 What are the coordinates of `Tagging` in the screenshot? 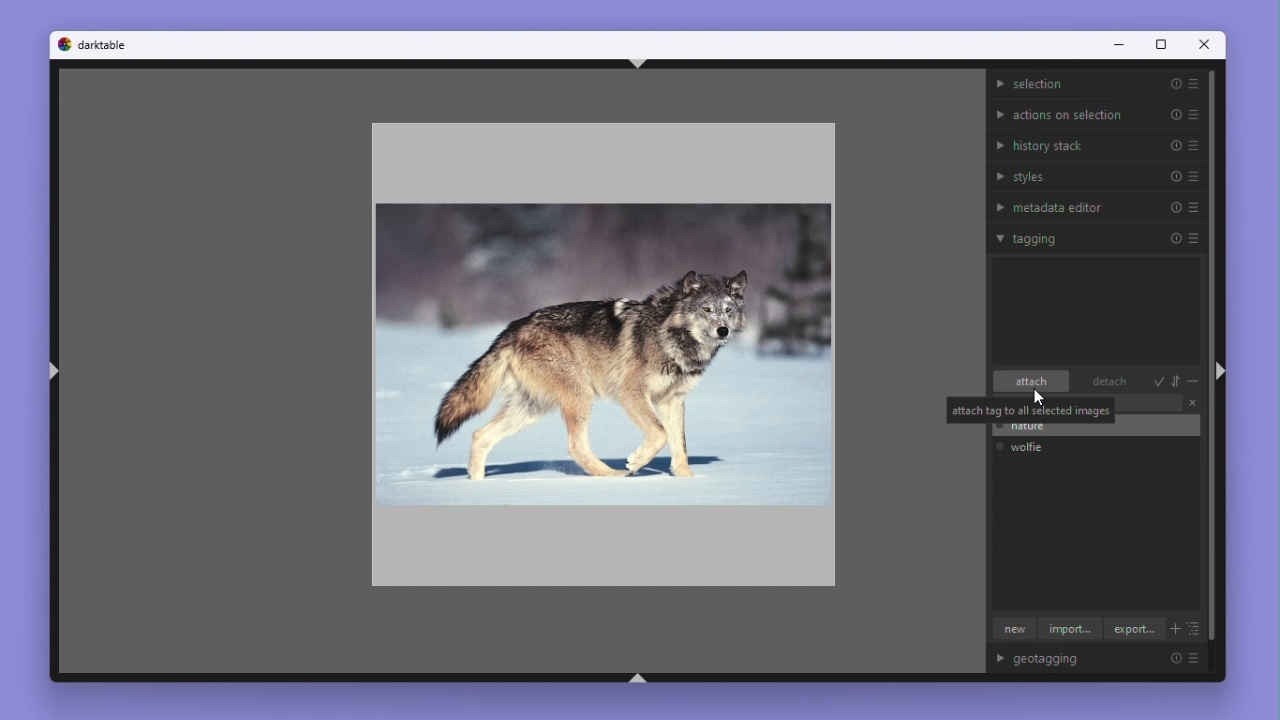 It's located at (1096, 237).